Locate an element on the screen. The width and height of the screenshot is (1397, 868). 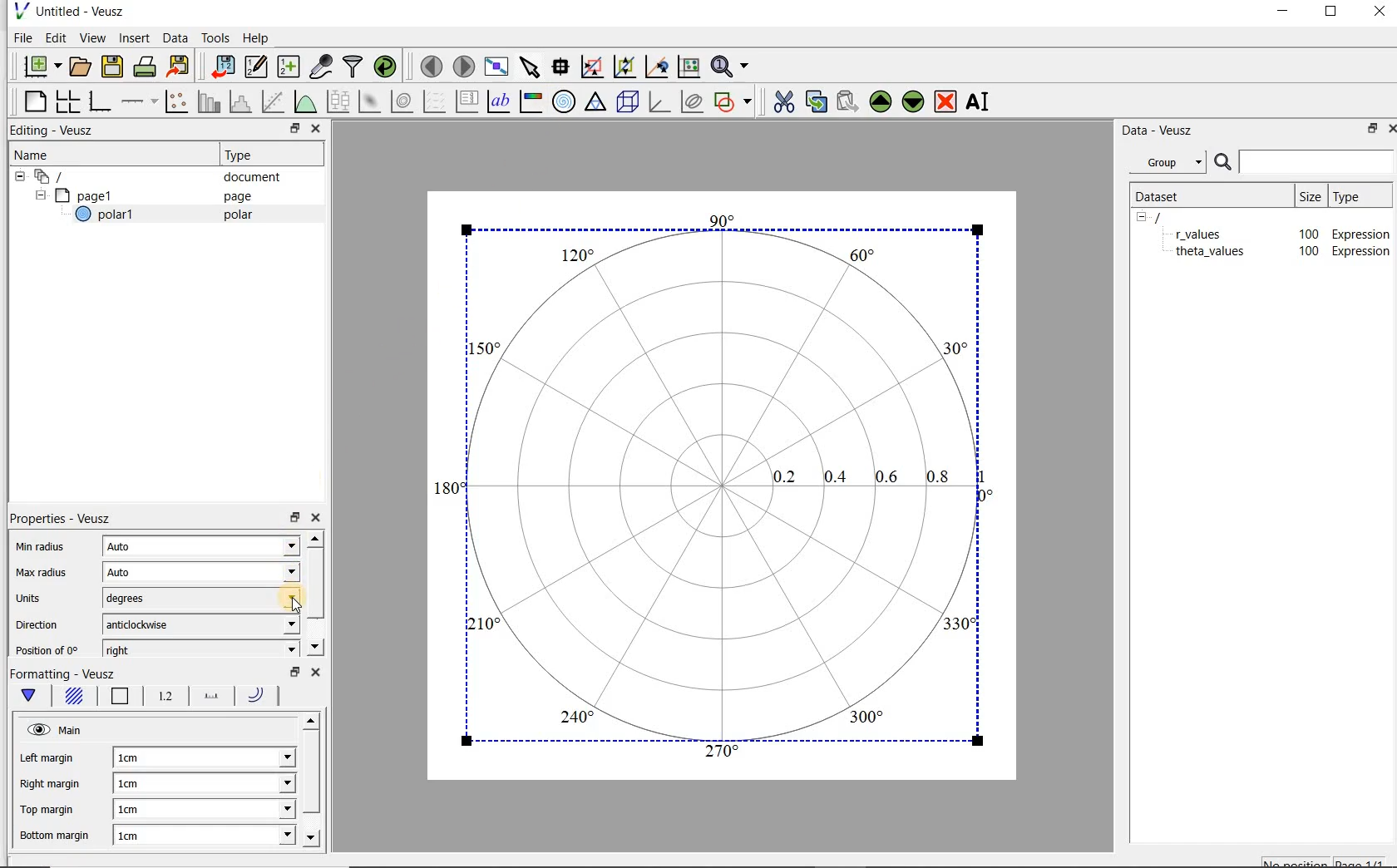
Formatting - Veusz is located at coordinates (68, 672).